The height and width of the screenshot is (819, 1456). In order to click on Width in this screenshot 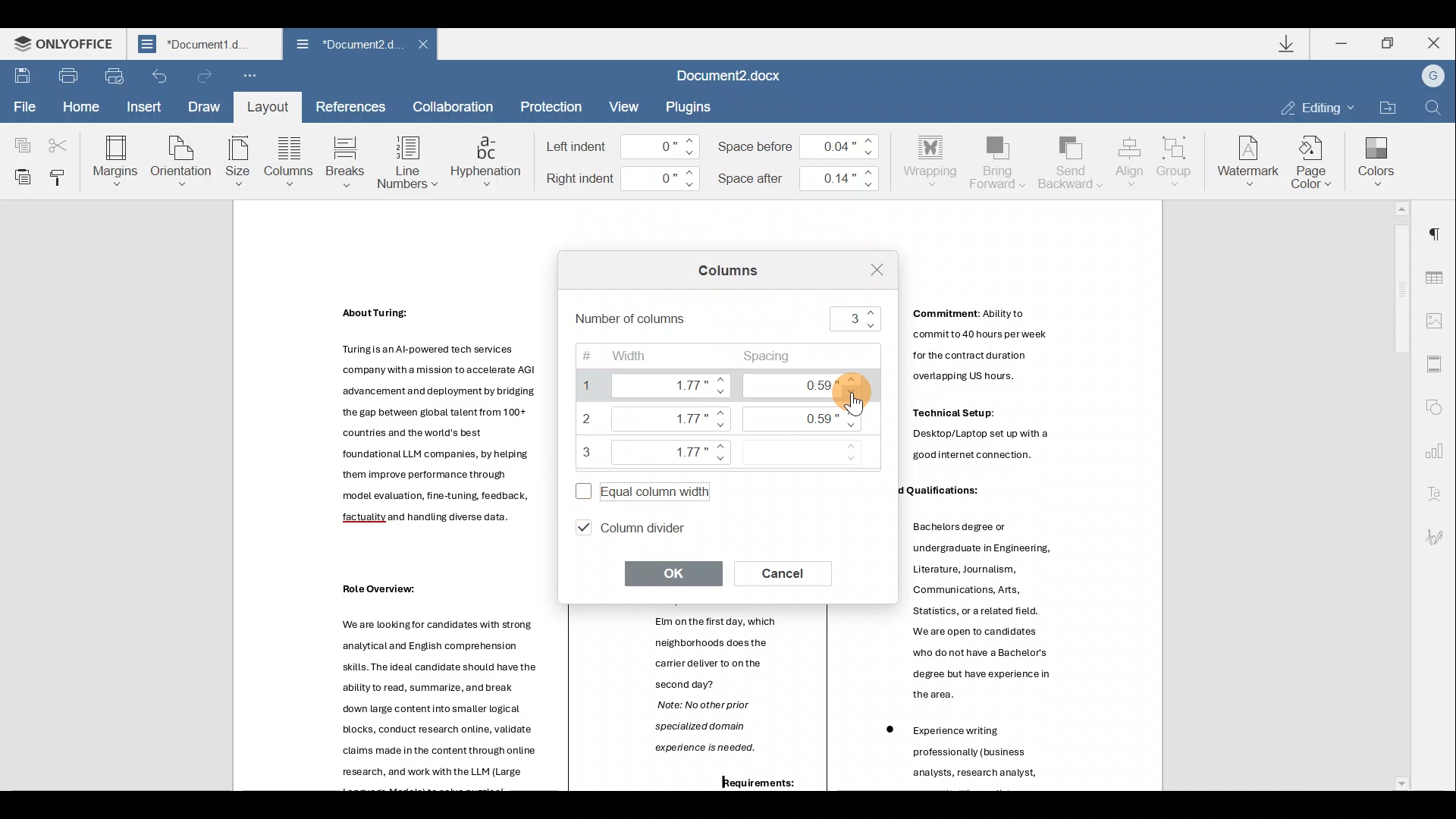, I will do `click(649, 405)`.